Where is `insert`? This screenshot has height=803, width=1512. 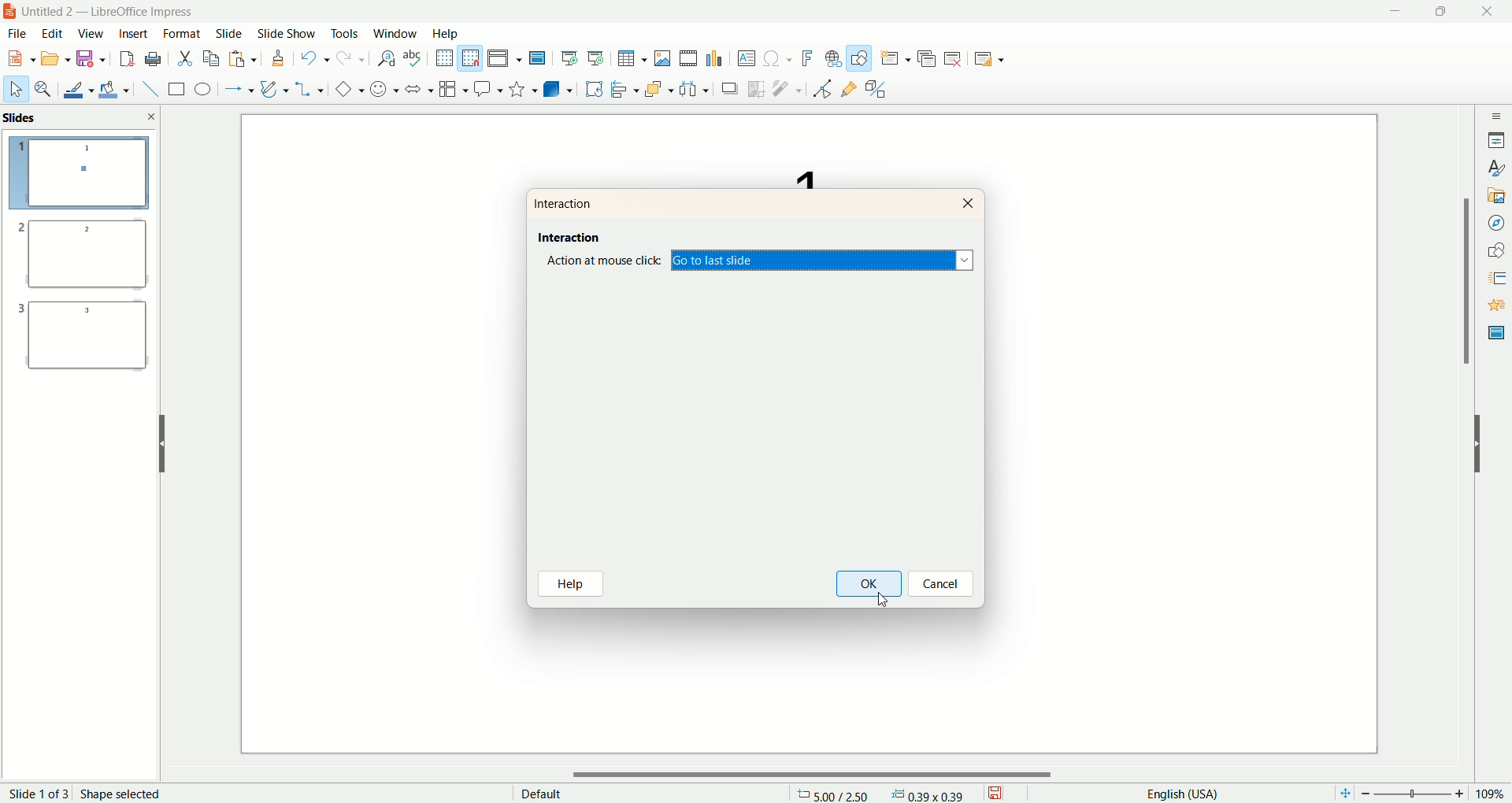 insert is located at coordinates (132, 34).